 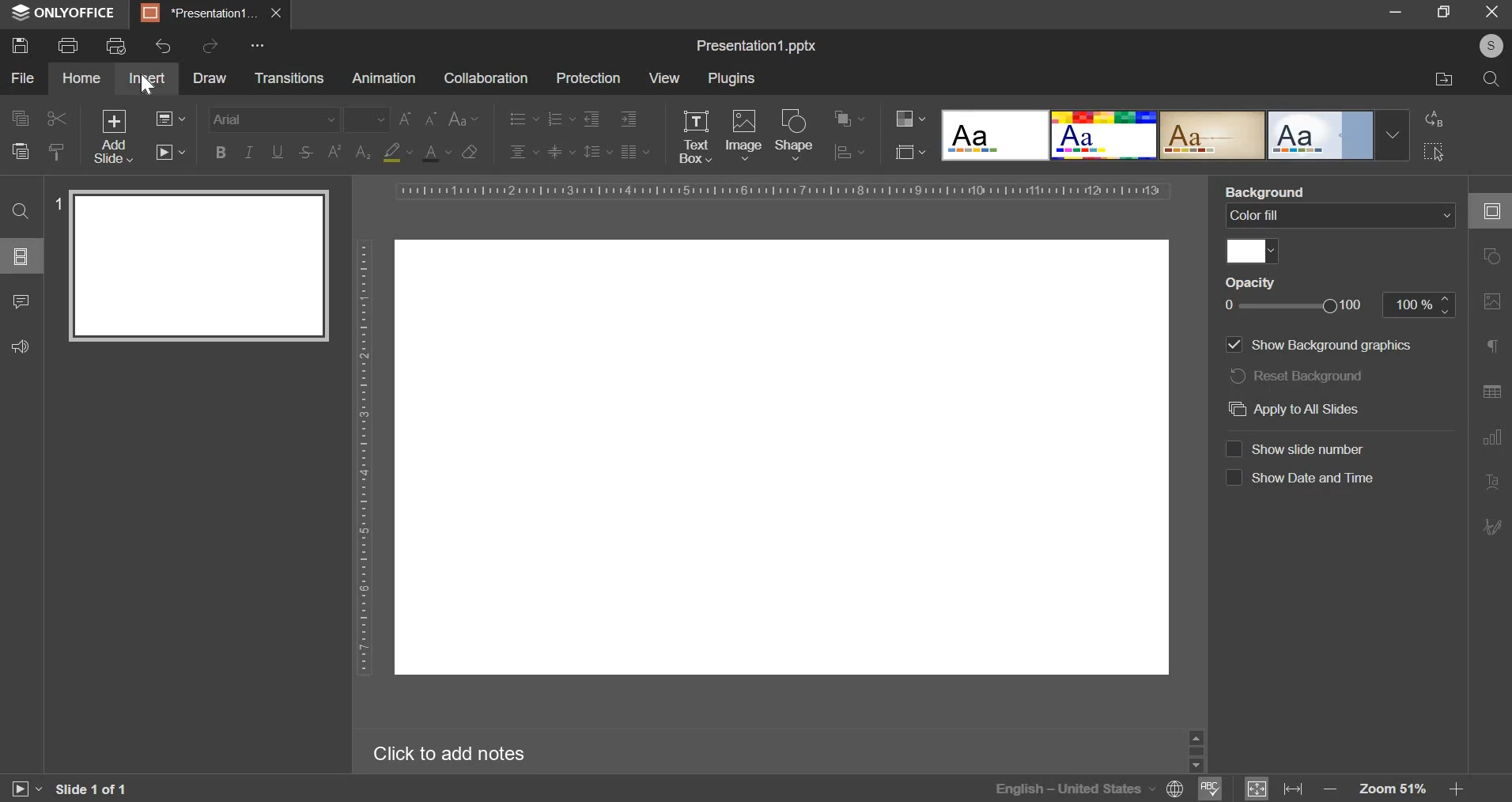 What do you see at coordinates (633, 150) in the screenshot?
I see `paragraph alignment` at bounding box center [633, 150].